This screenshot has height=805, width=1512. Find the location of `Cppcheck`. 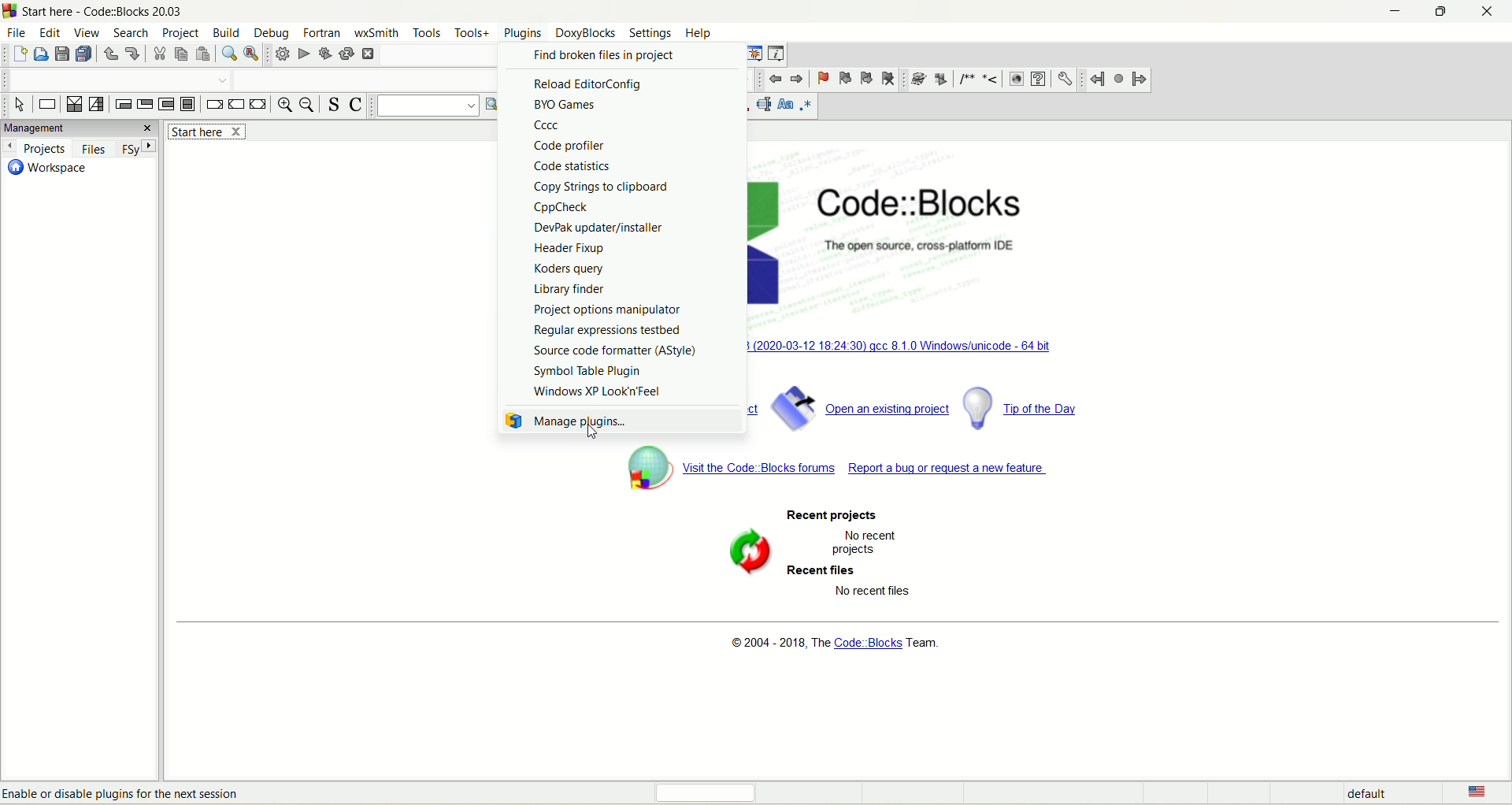

Cppcheck is located at coordinates (562, 207).